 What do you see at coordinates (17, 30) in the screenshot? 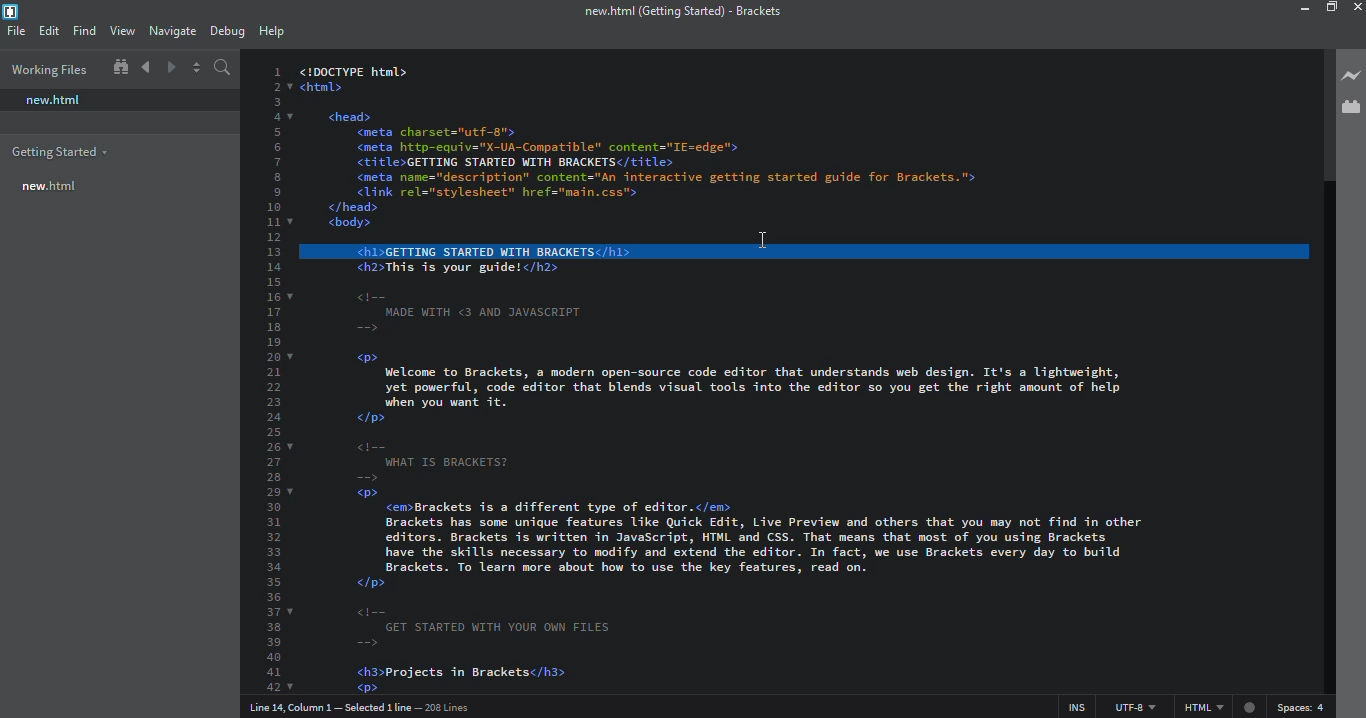
I see `file` at bounding box center [17, 30].